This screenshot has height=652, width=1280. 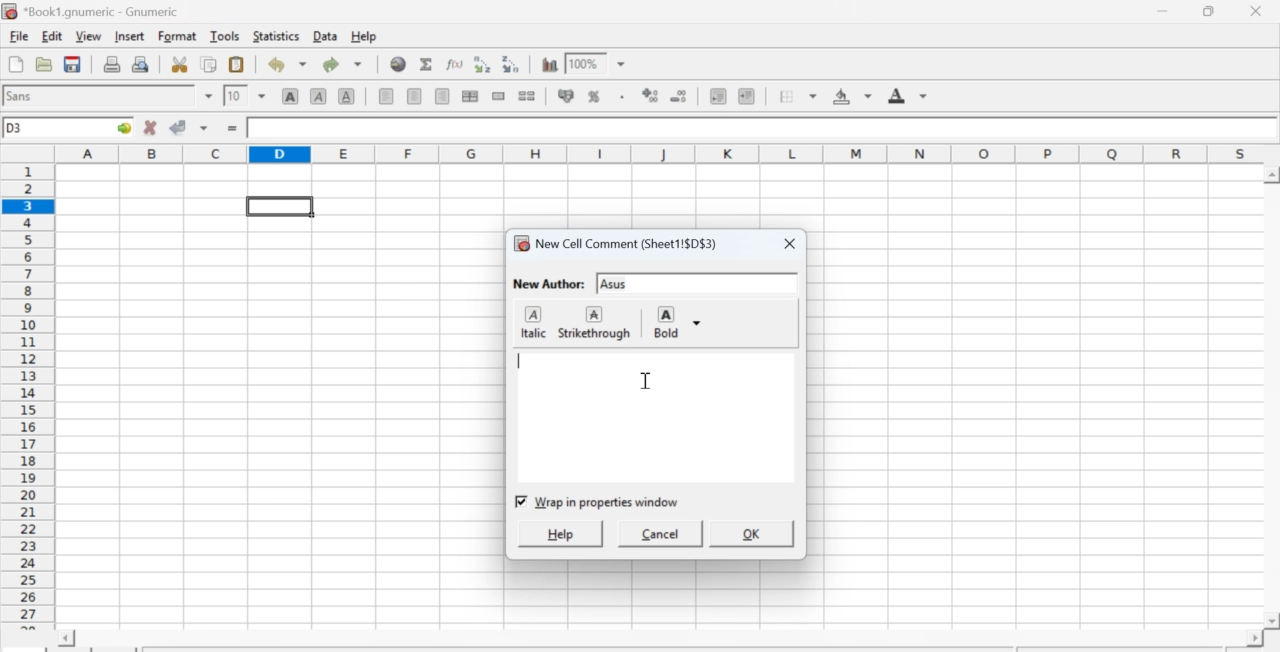 I want to click on down, so click(x=623, y=64).